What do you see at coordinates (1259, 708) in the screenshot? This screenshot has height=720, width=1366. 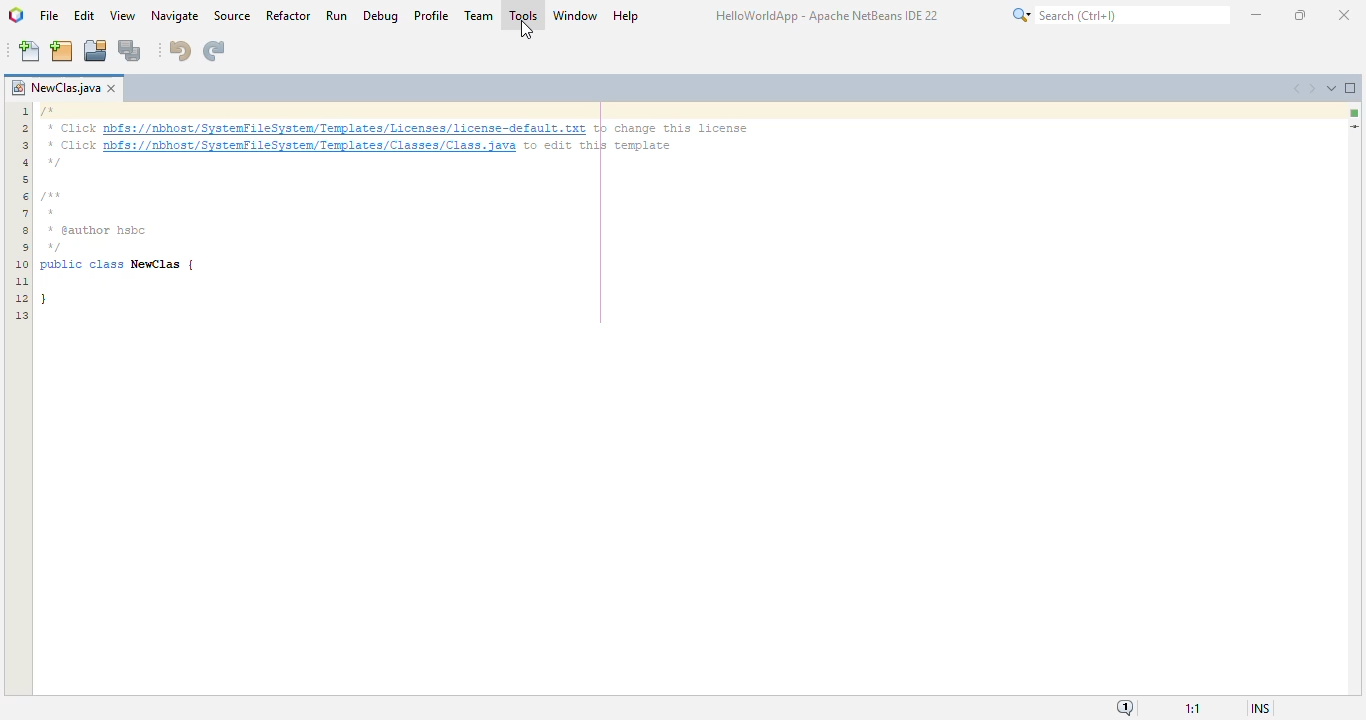 I see `insert mode` at bounding box center [1259, 708].